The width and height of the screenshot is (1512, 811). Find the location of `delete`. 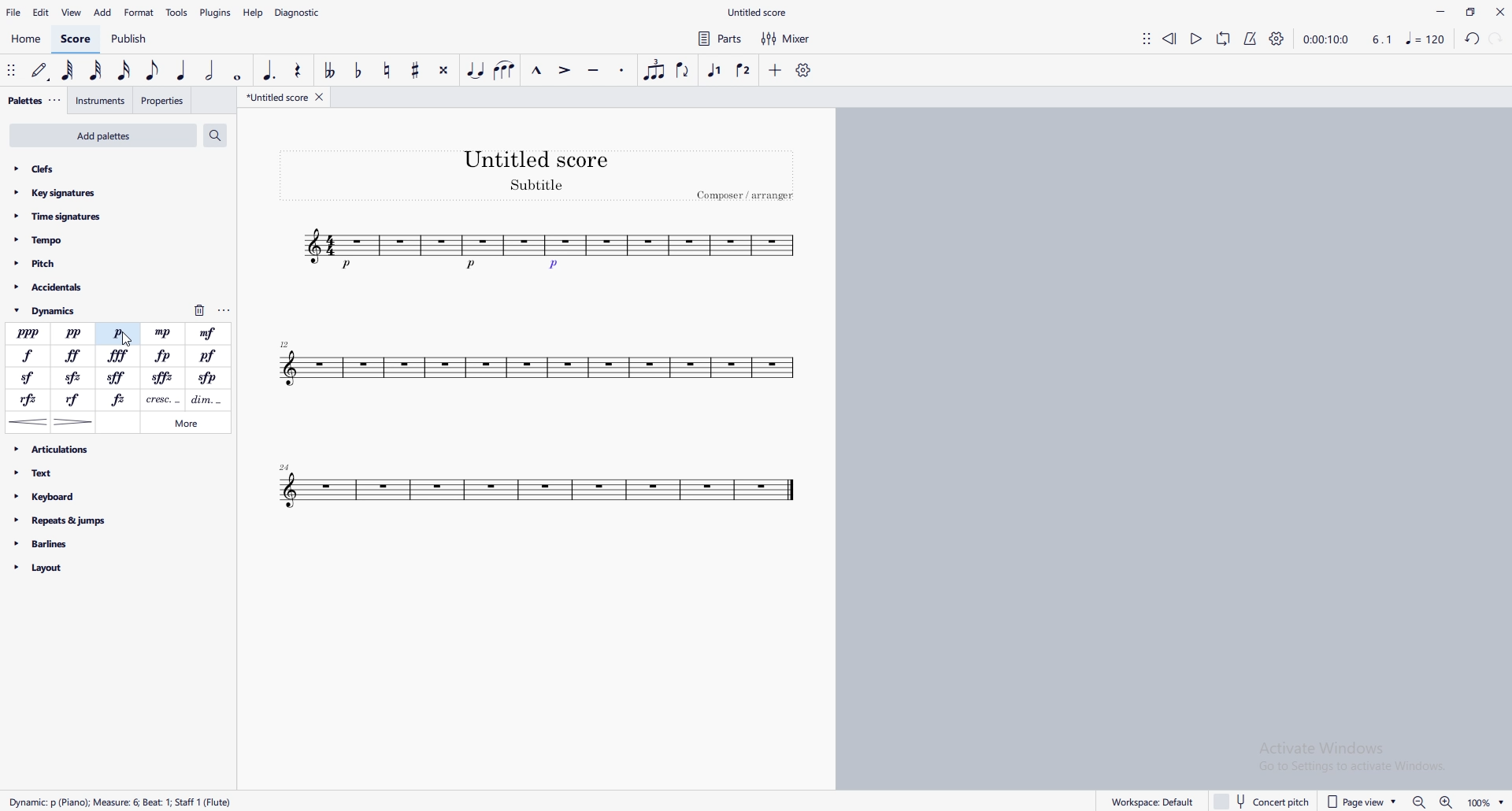

delete is located at coordinates (199, 309).